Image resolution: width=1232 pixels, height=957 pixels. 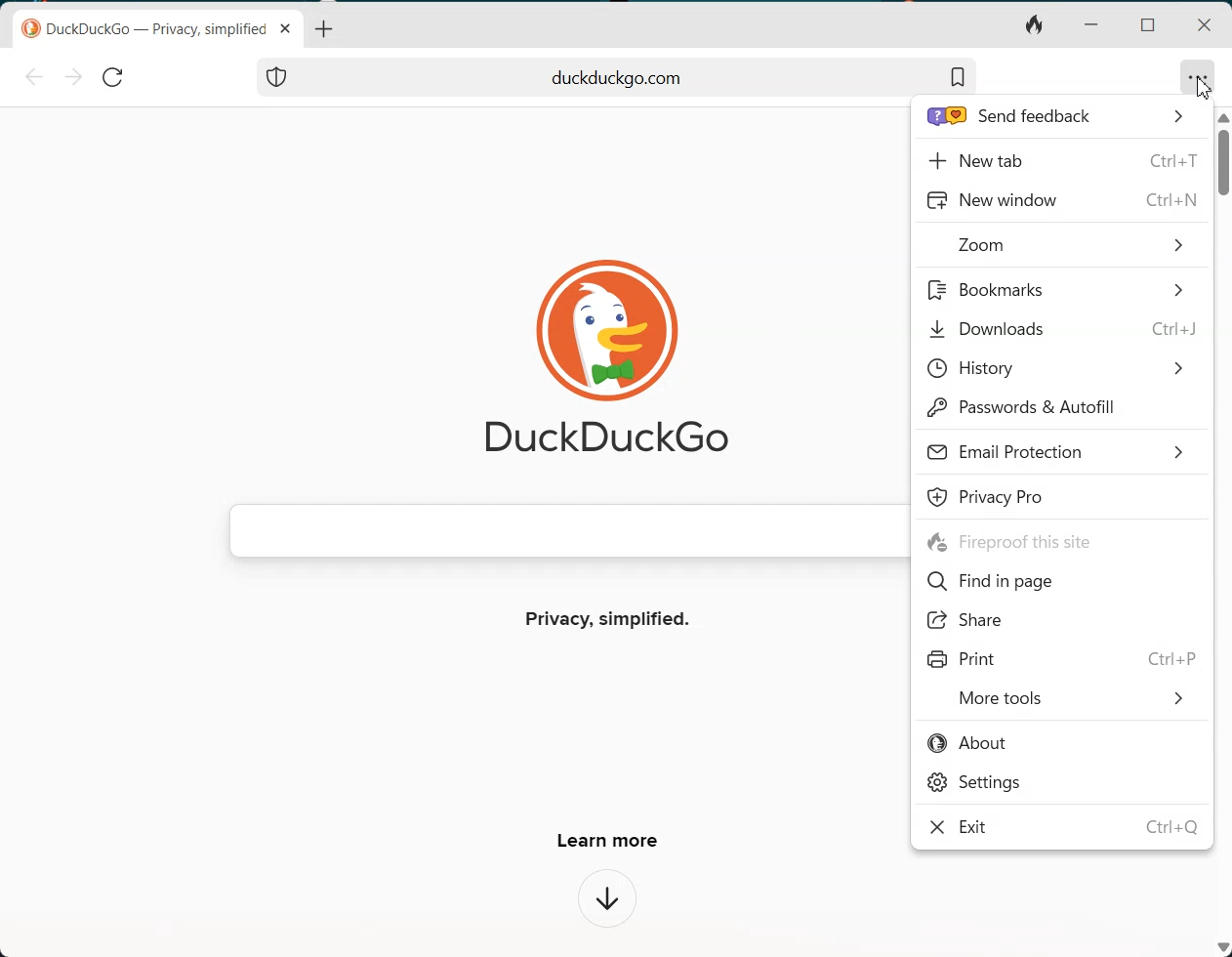 What do you see at coordinates (1063, 540) in the screenshot?
I see `Fireproof this site` at bounding box center [1063, 540].